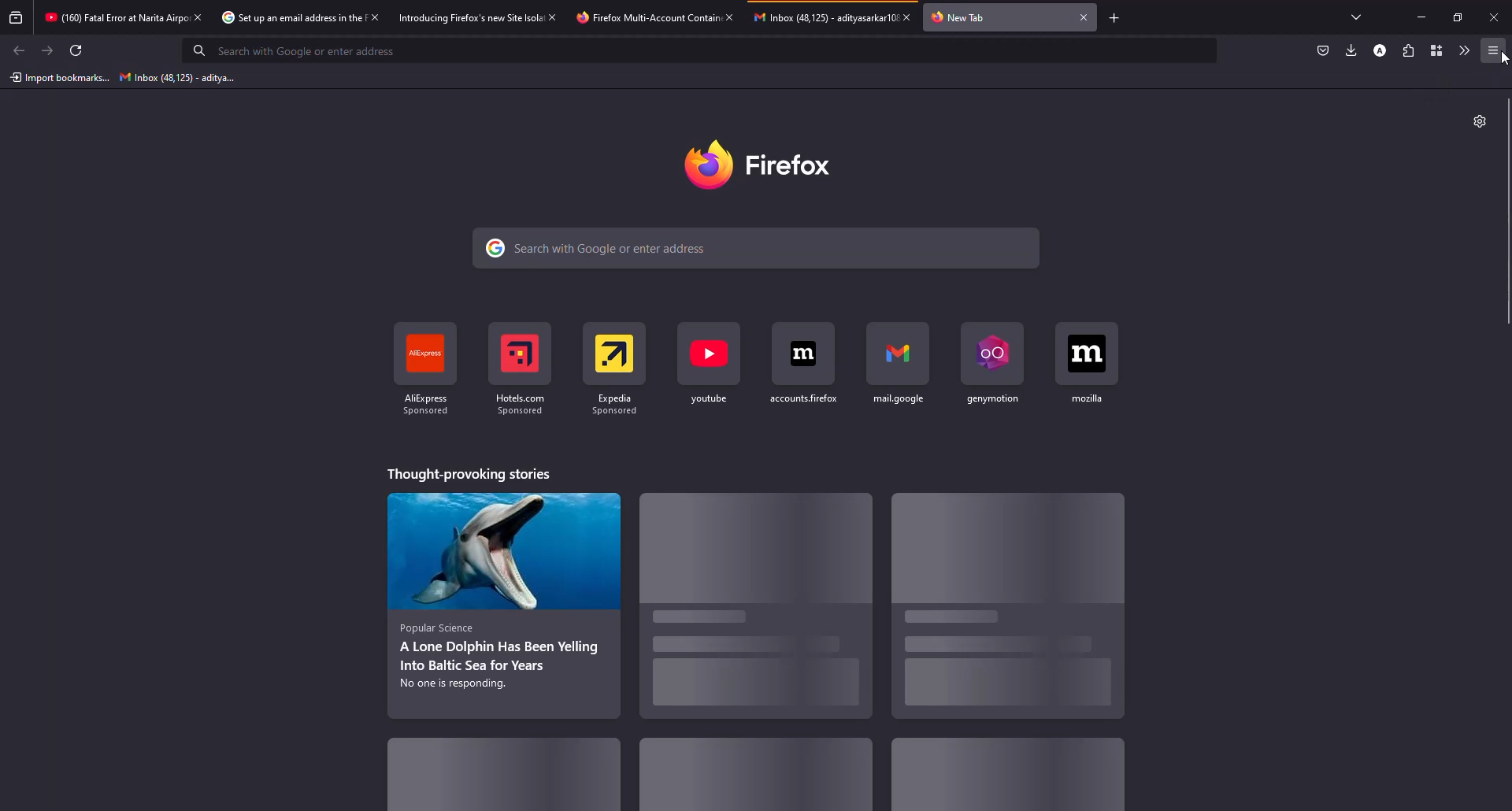 The width and height of the screenshot is (1512, 811). What do you see at coordinates (469, 17) in the screenshot?
I see `tab` at bounding box center [469, 17].